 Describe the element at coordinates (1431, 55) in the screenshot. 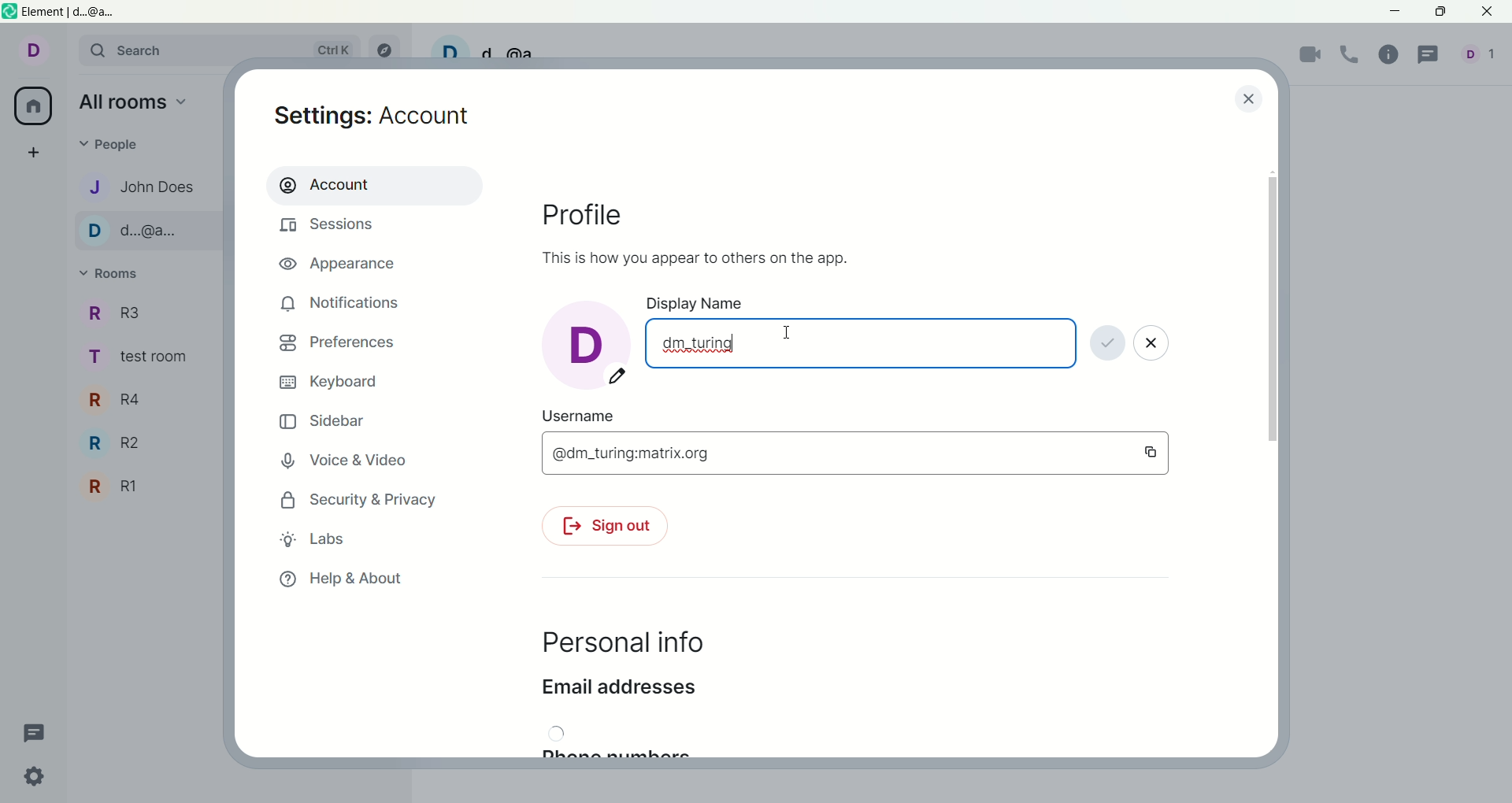

I see `threads` at that location.